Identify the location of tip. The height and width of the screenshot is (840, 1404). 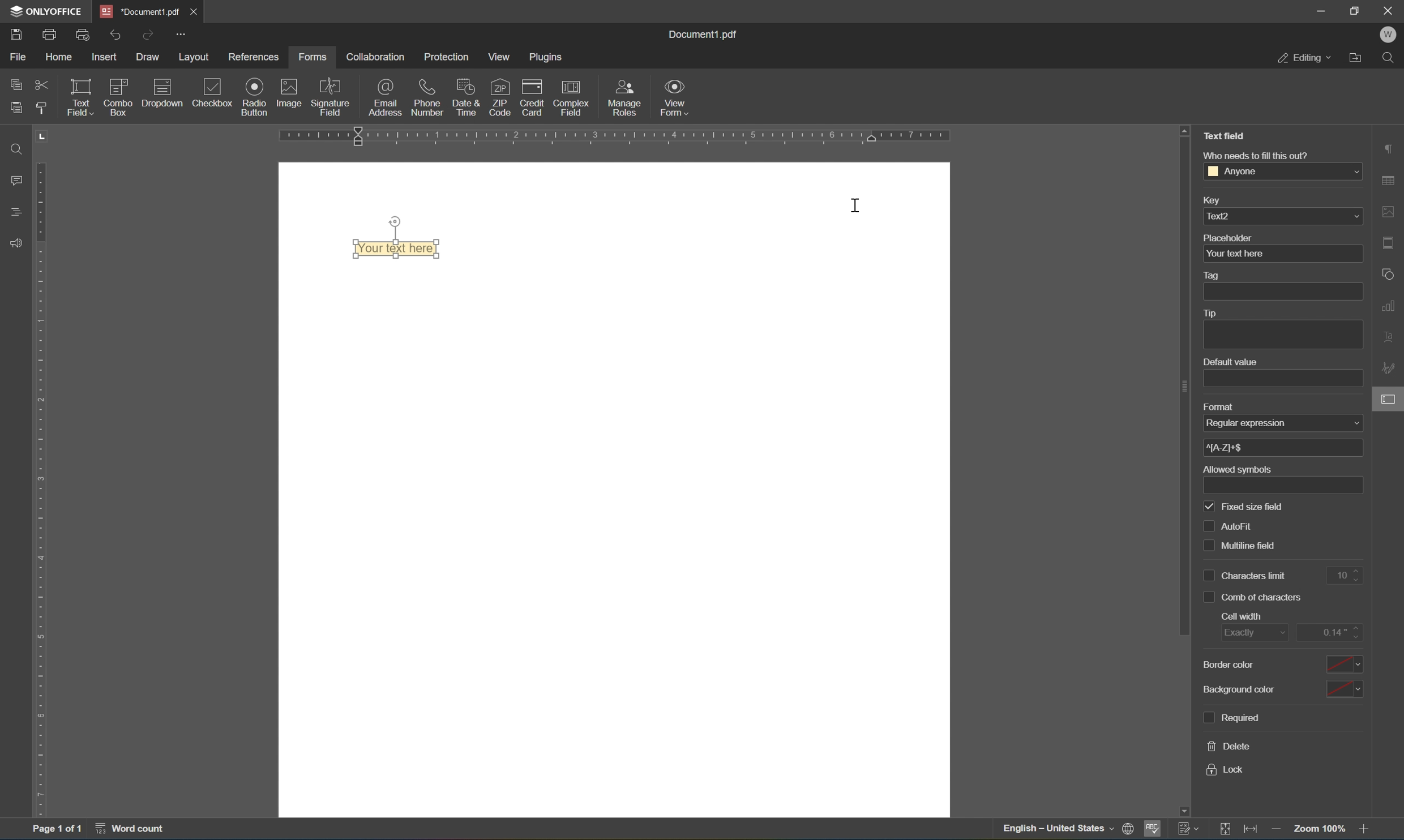
(1211, 312).